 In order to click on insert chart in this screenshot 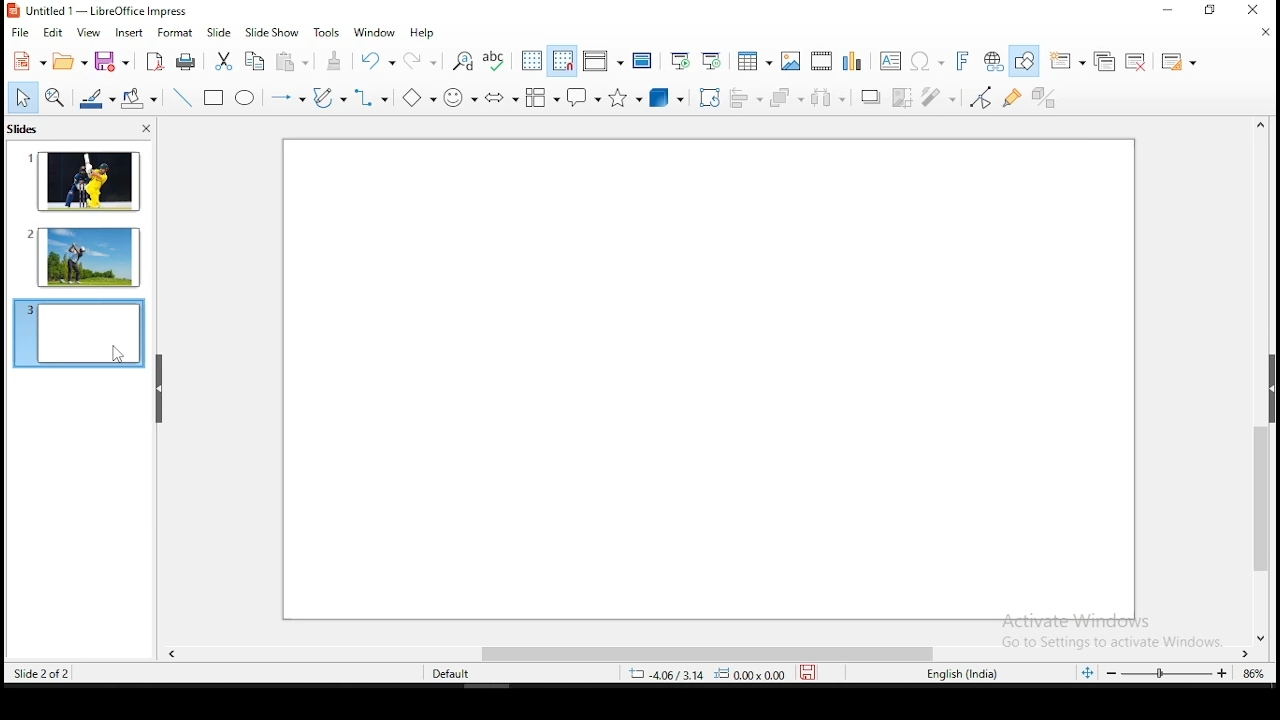, I will do `click(851, 62)`.